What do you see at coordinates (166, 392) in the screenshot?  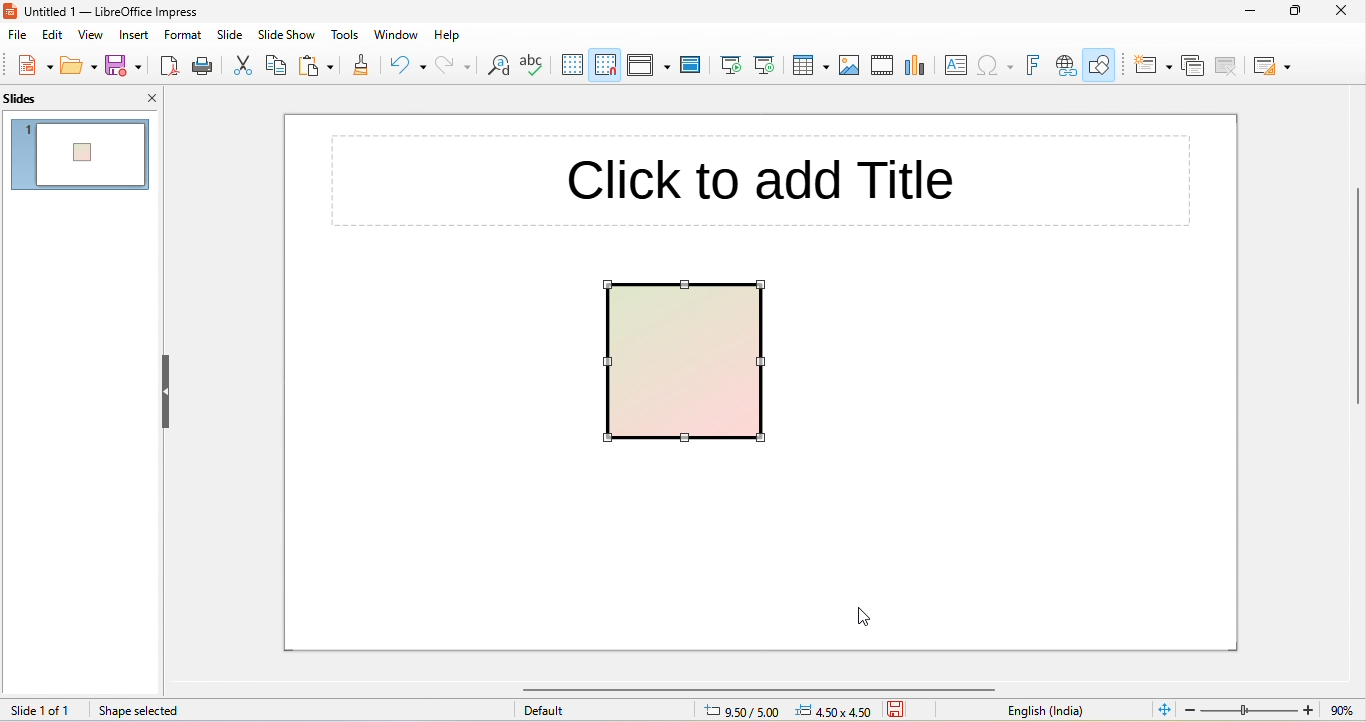 I see `hide` at bounding box center [166, 392].